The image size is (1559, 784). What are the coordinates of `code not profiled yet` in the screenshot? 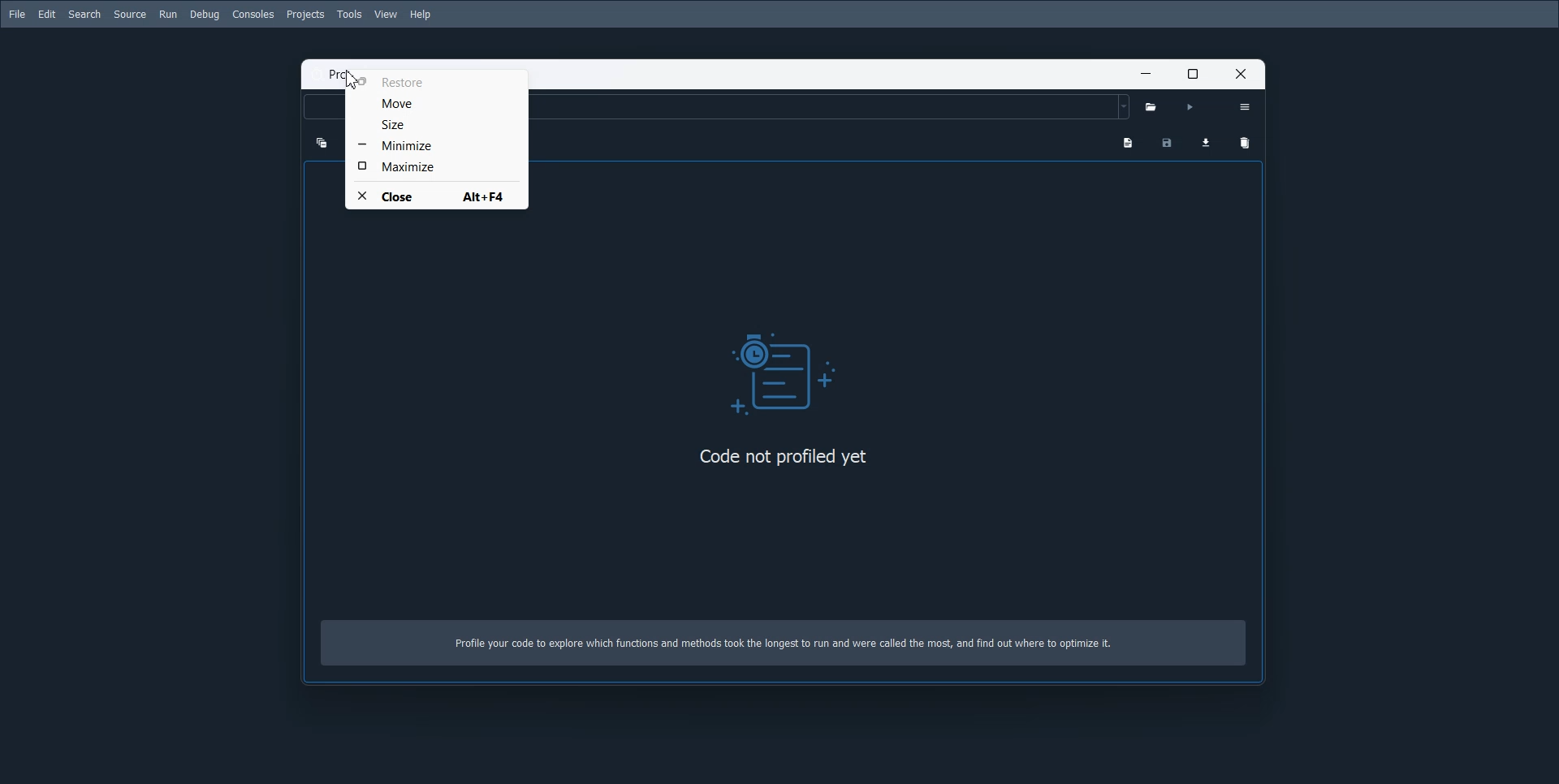 It's located at (783, 457).